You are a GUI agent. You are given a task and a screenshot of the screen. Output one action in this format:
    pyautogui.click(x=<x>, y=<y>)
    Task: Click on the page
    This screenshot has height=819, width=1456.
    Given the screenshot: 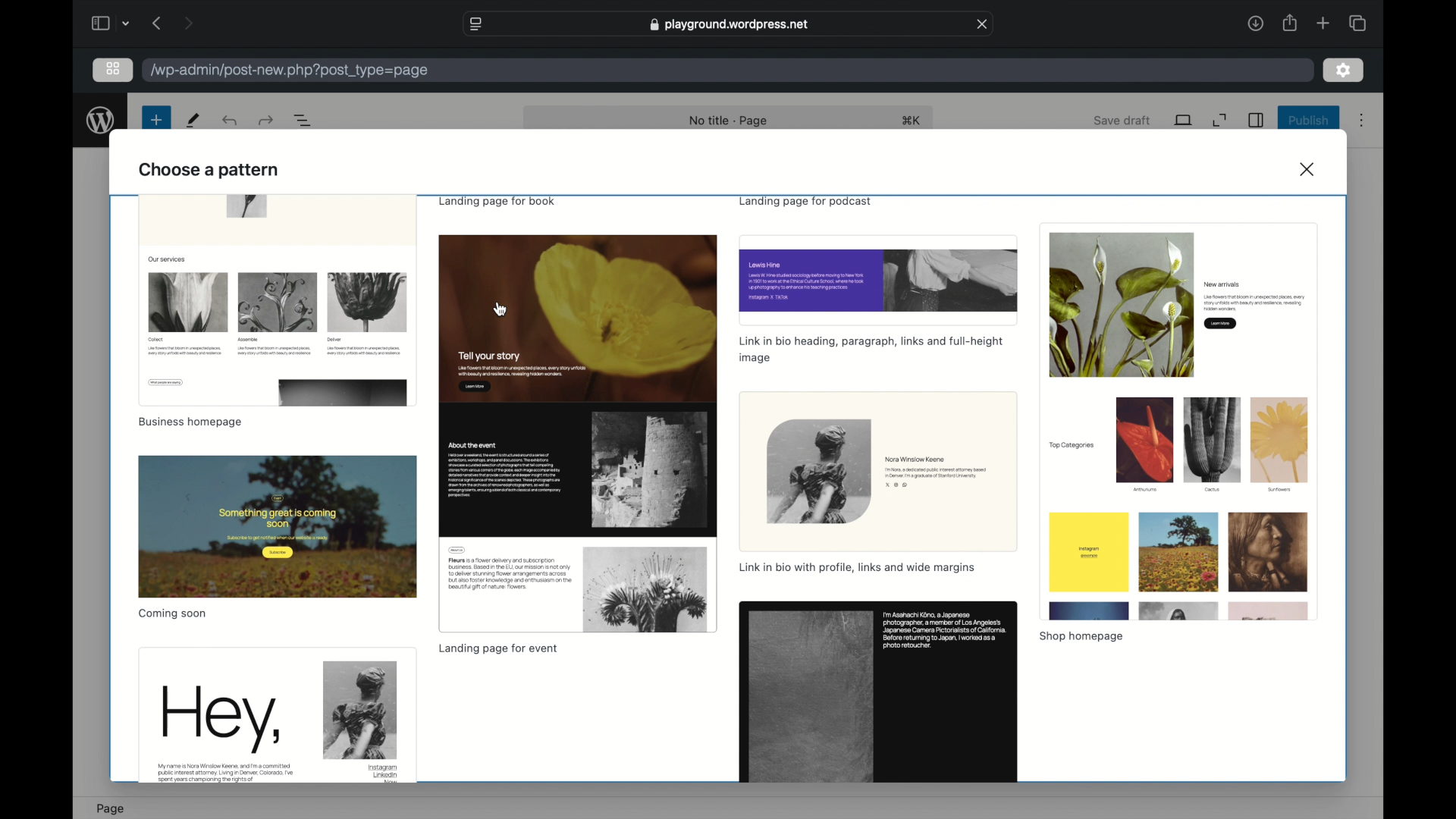 What is the action you would take?
    pyautogui.click(x=110, y=808)
    